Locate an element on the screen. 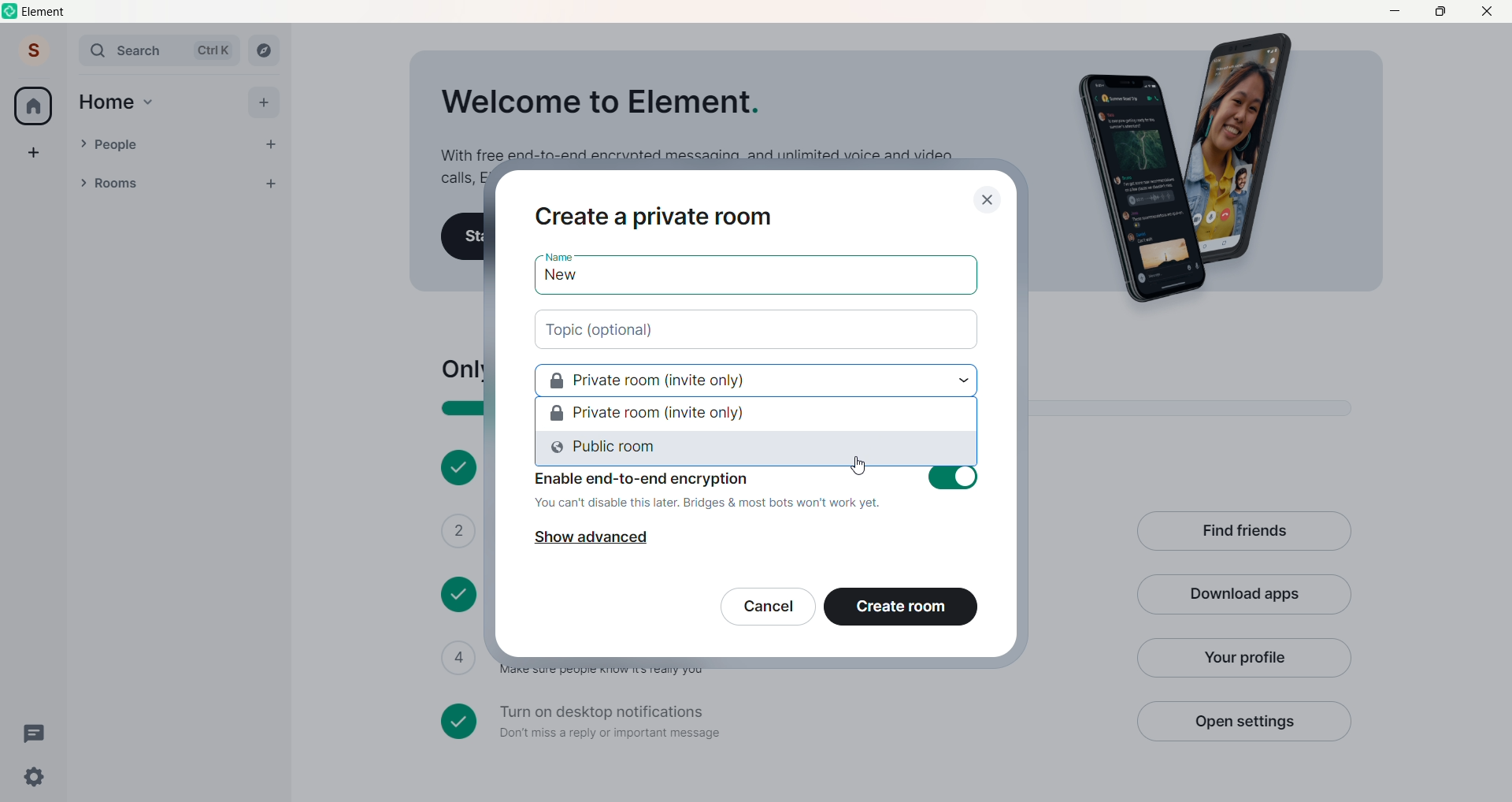 The width and height of the screenshot is (1512, 802). set room privacy is located at coordinates (754, 379).